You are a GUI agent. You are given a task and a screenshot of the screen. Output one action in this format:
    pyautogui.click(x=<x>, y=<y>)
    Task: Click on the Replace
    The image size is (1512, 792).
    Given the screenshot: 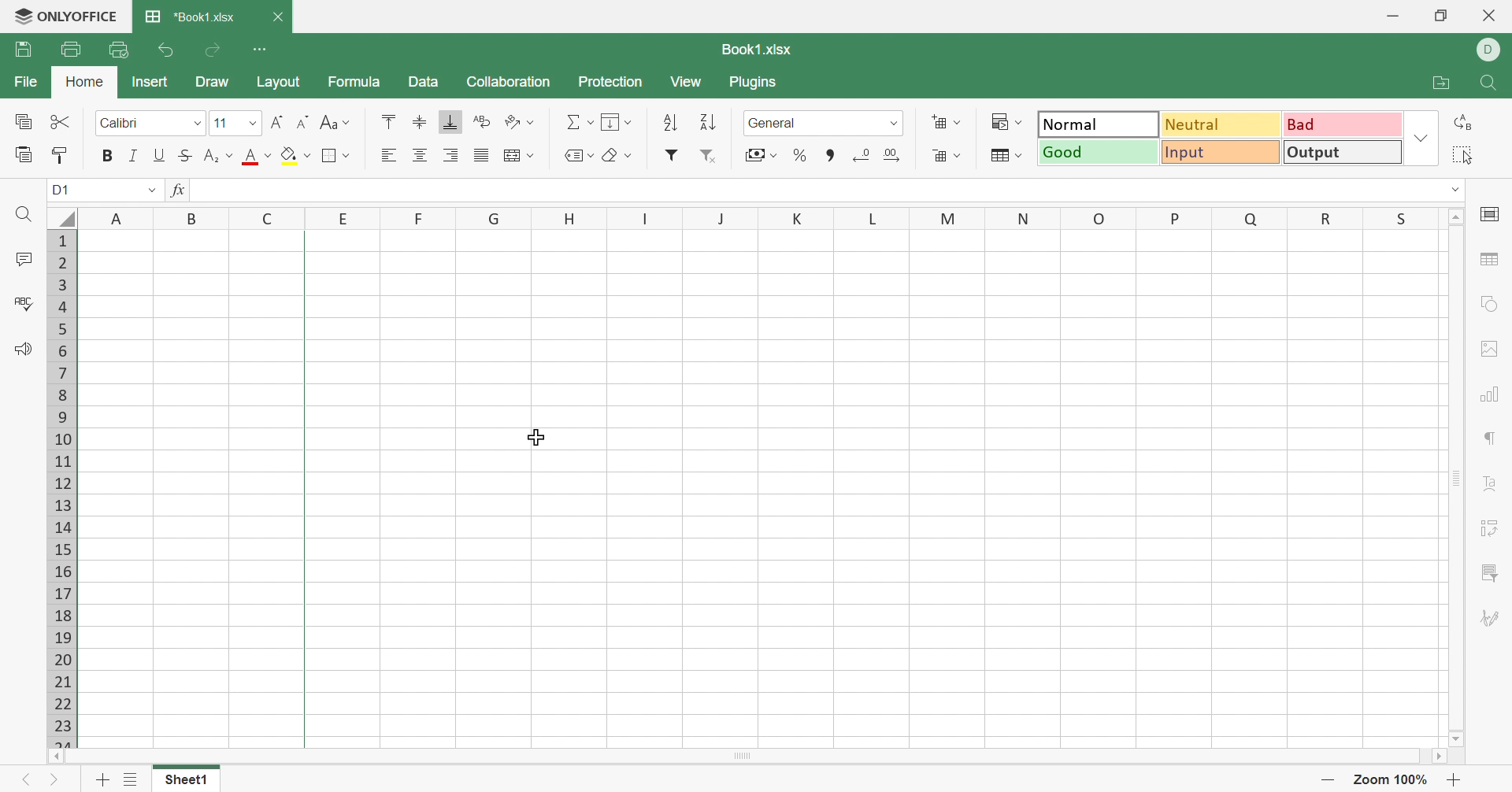 What is the action you would take?
    pyautogui.click(x=1460, y=124)
    